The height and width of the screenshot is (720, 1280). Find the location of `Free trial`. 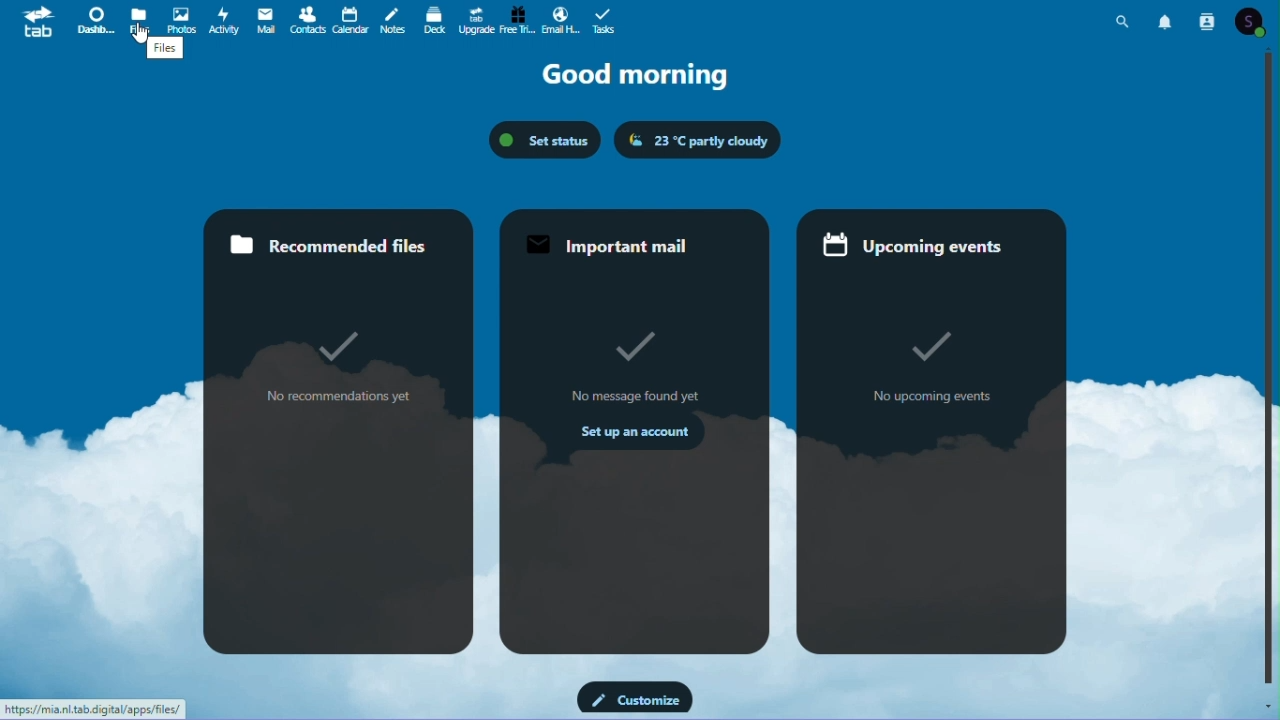

Free trial is located at coordinates (515, 20).